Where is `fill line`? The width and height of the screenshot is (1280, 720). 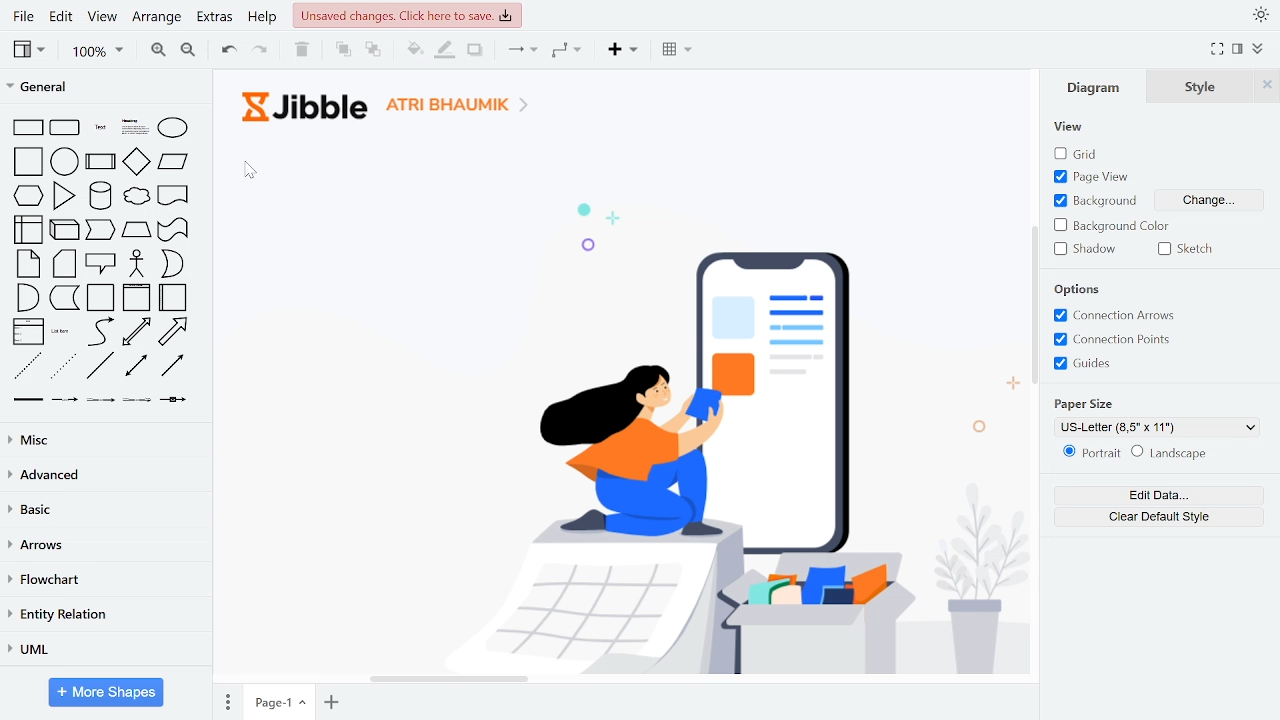 fill line is located at coordinates (446, 51).